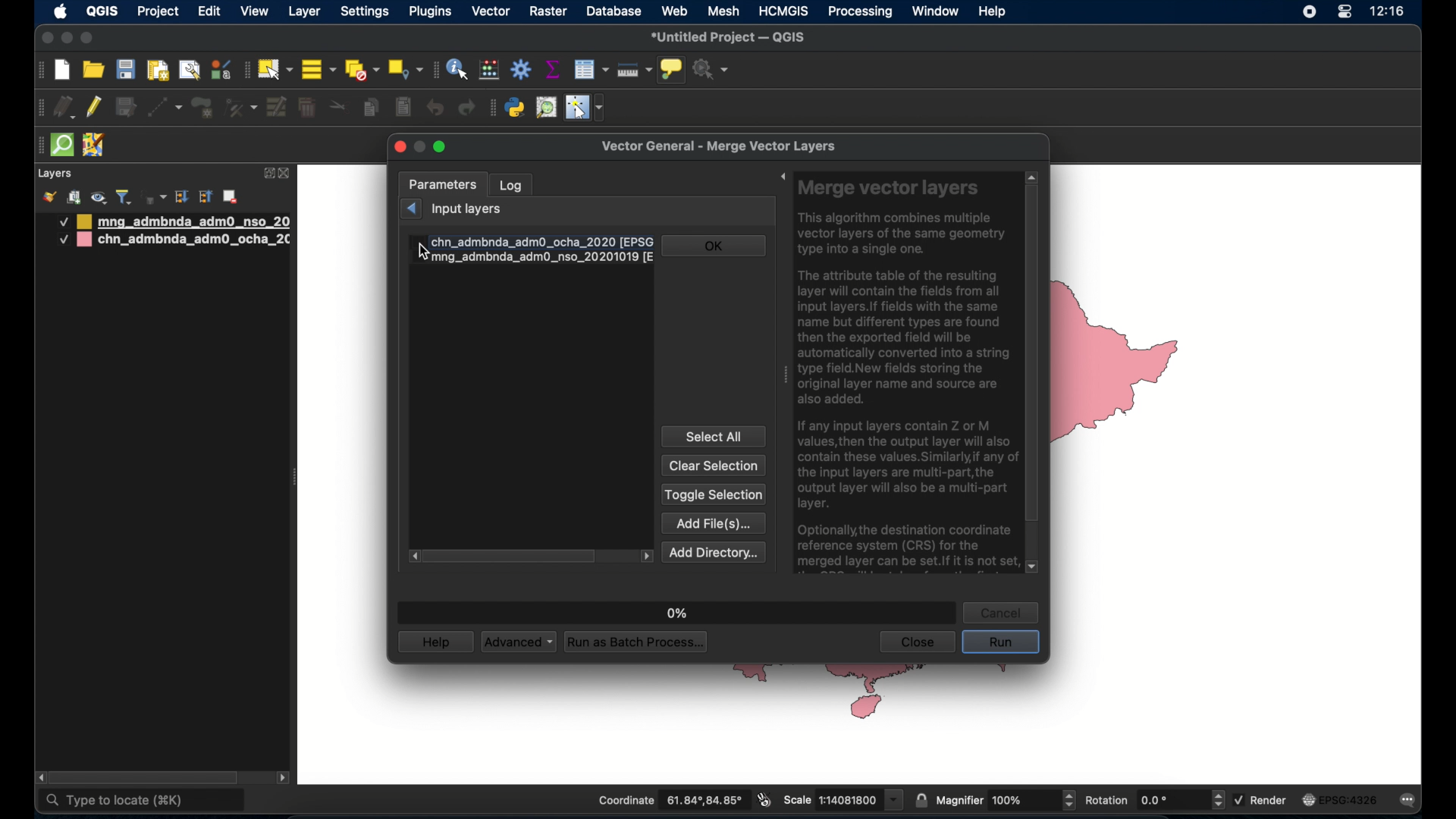 The height and width of the screenshot is (819, 1456). I want to click on cancel, so click(1003, 612).